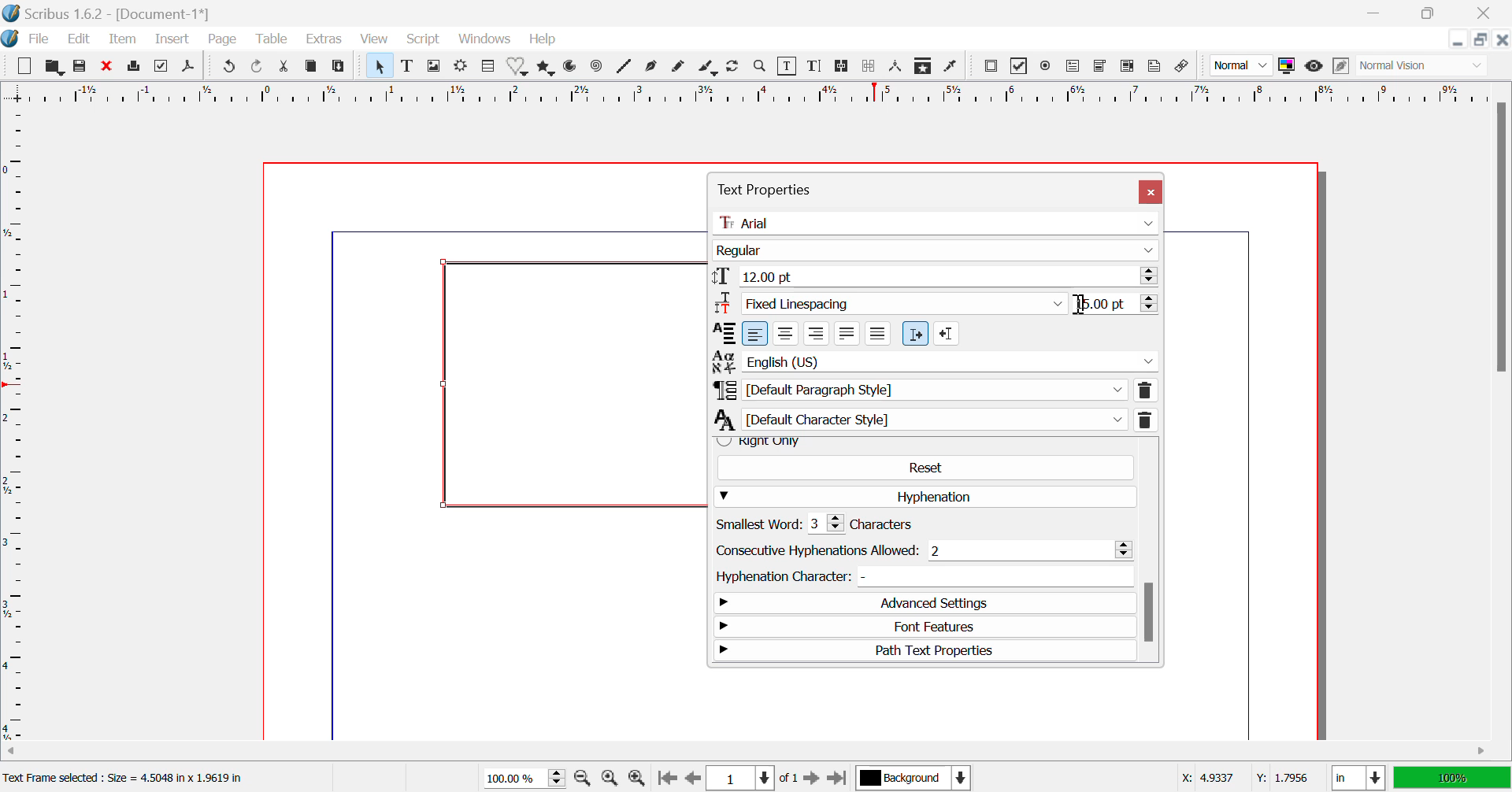 This screenshot has height=792, width=1512. I want to click on Minimize, so click(1429, 12).